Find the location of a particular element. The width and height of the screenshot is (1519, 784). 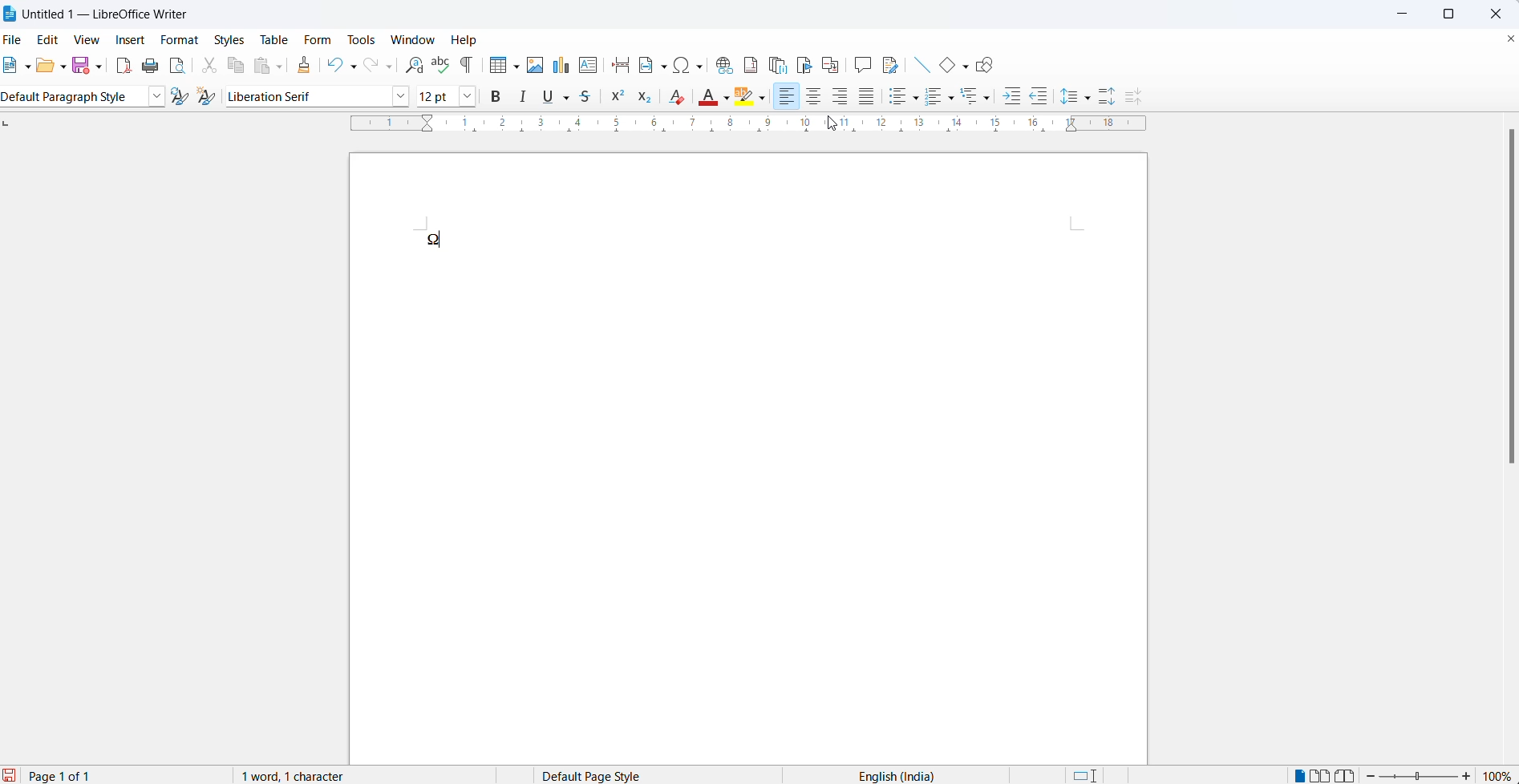

word and character count is located at coordinates (302, 776).